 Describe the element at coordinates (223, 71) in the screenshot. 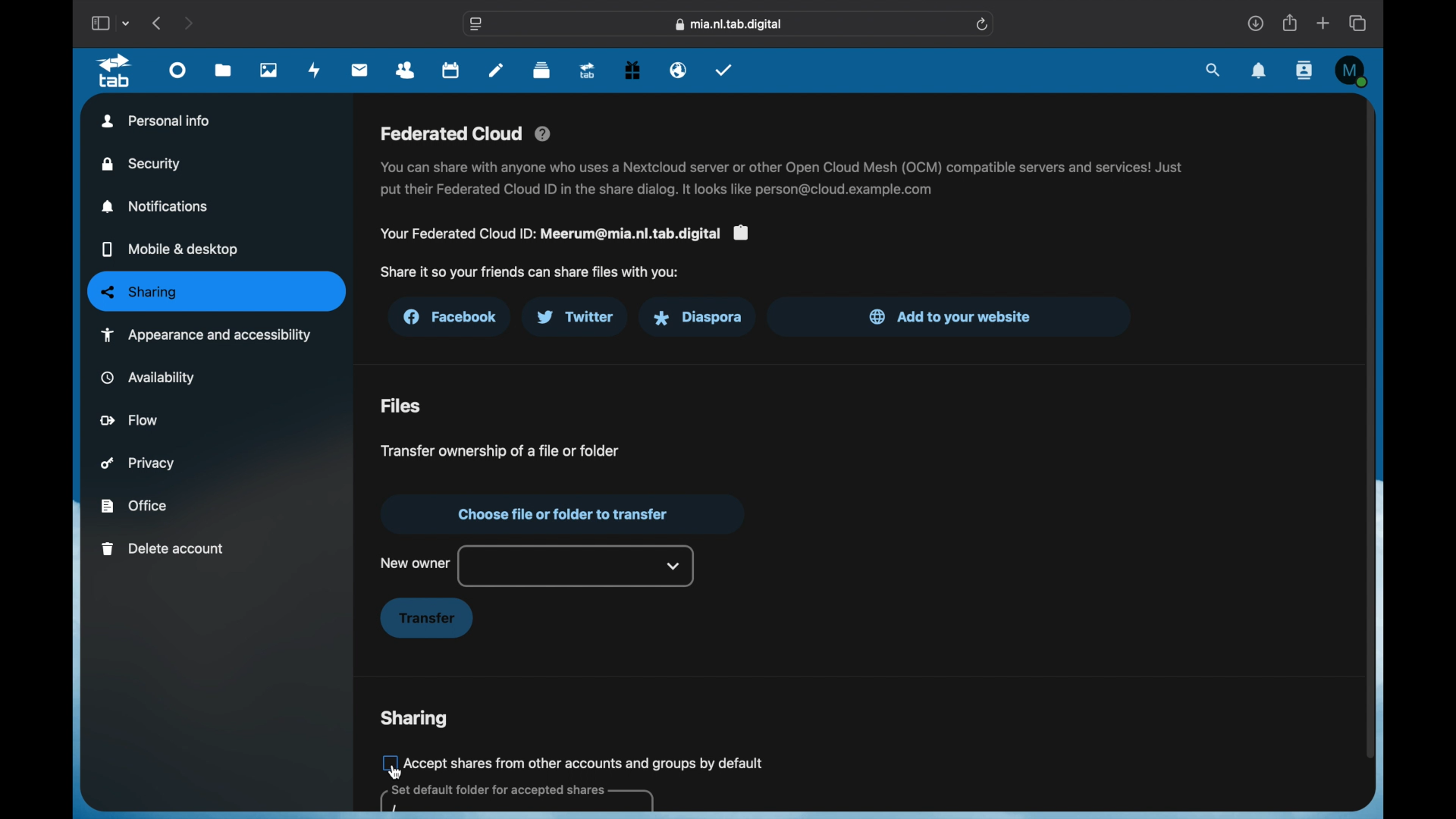

I see `files` at that location.